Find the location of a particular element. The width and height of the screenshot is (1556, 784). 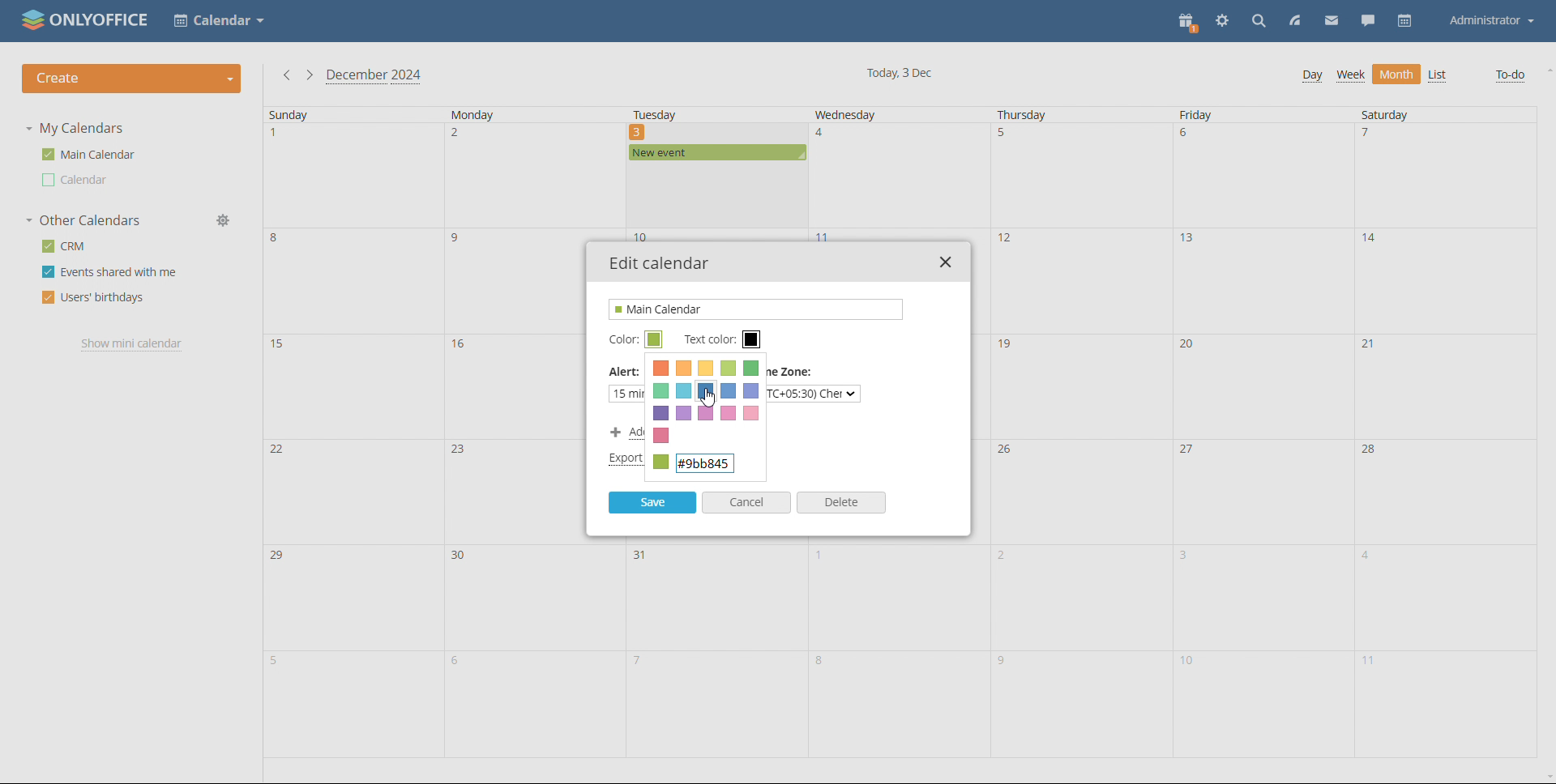

feed is located at coordinates (1297, 22).